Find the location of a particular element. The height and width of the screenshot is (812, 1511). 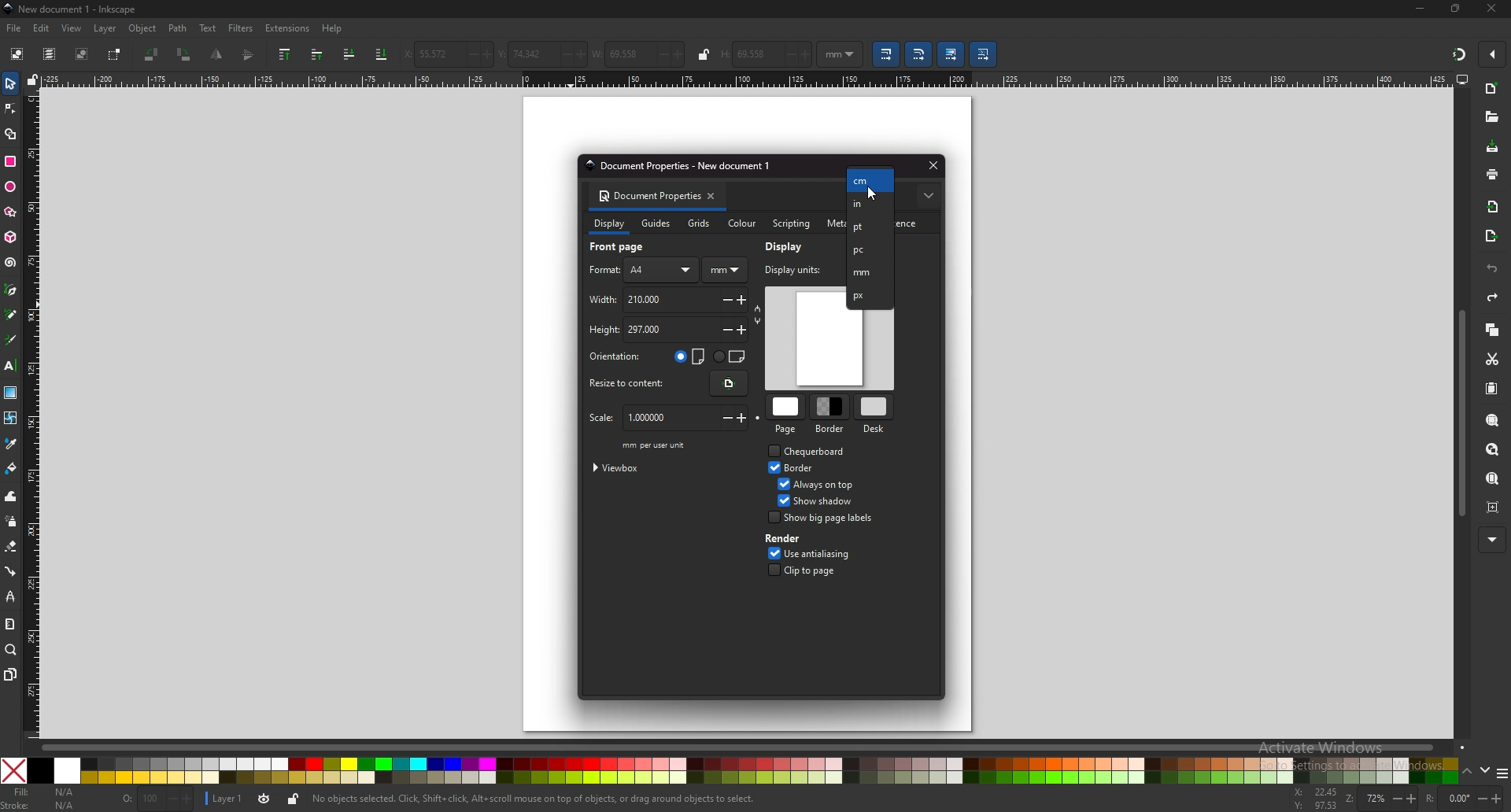

+ is located at coordinates (744, 330).